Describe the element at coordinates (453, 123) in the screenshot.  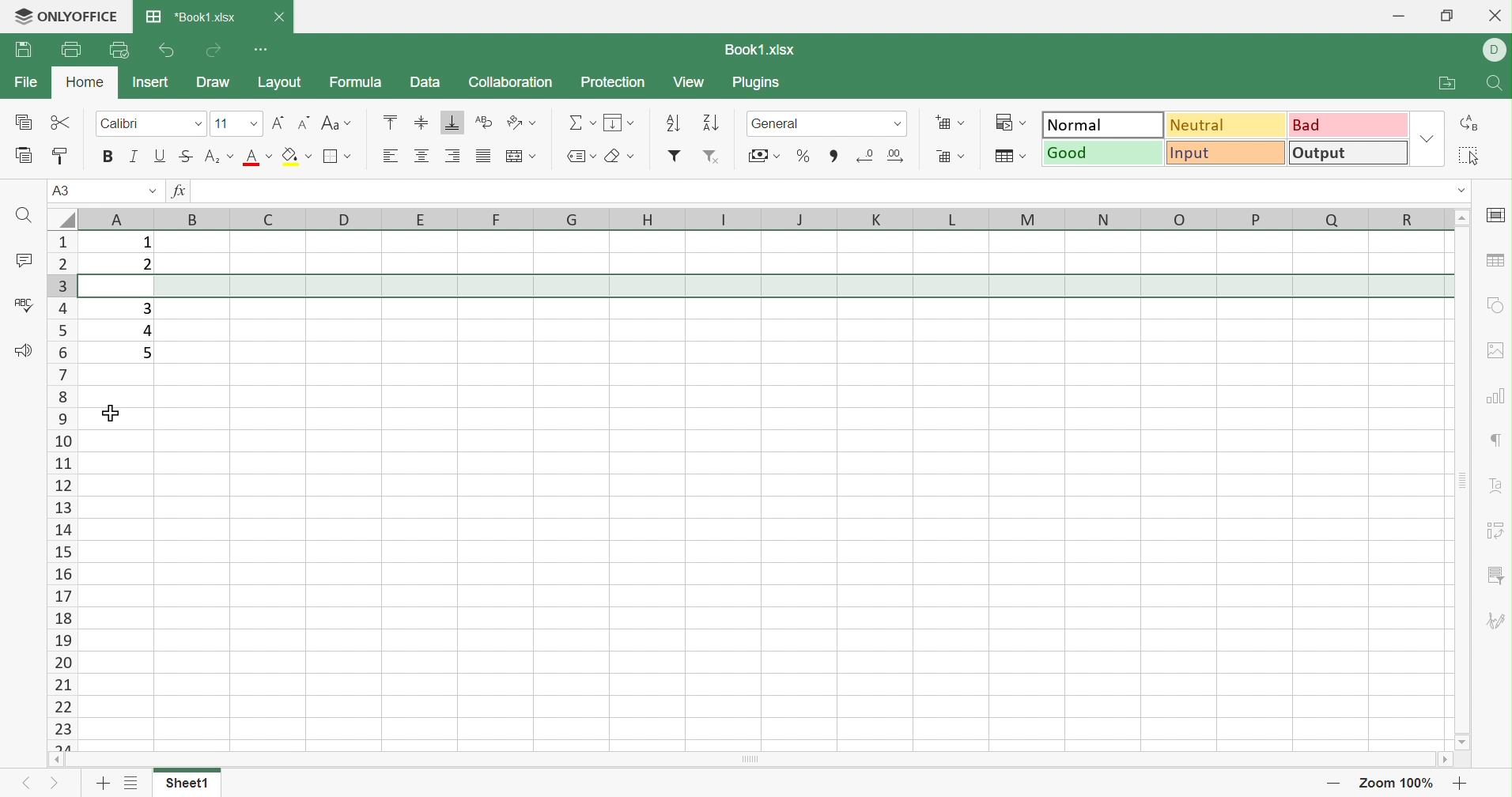
I see `Align Bottom` at that location.